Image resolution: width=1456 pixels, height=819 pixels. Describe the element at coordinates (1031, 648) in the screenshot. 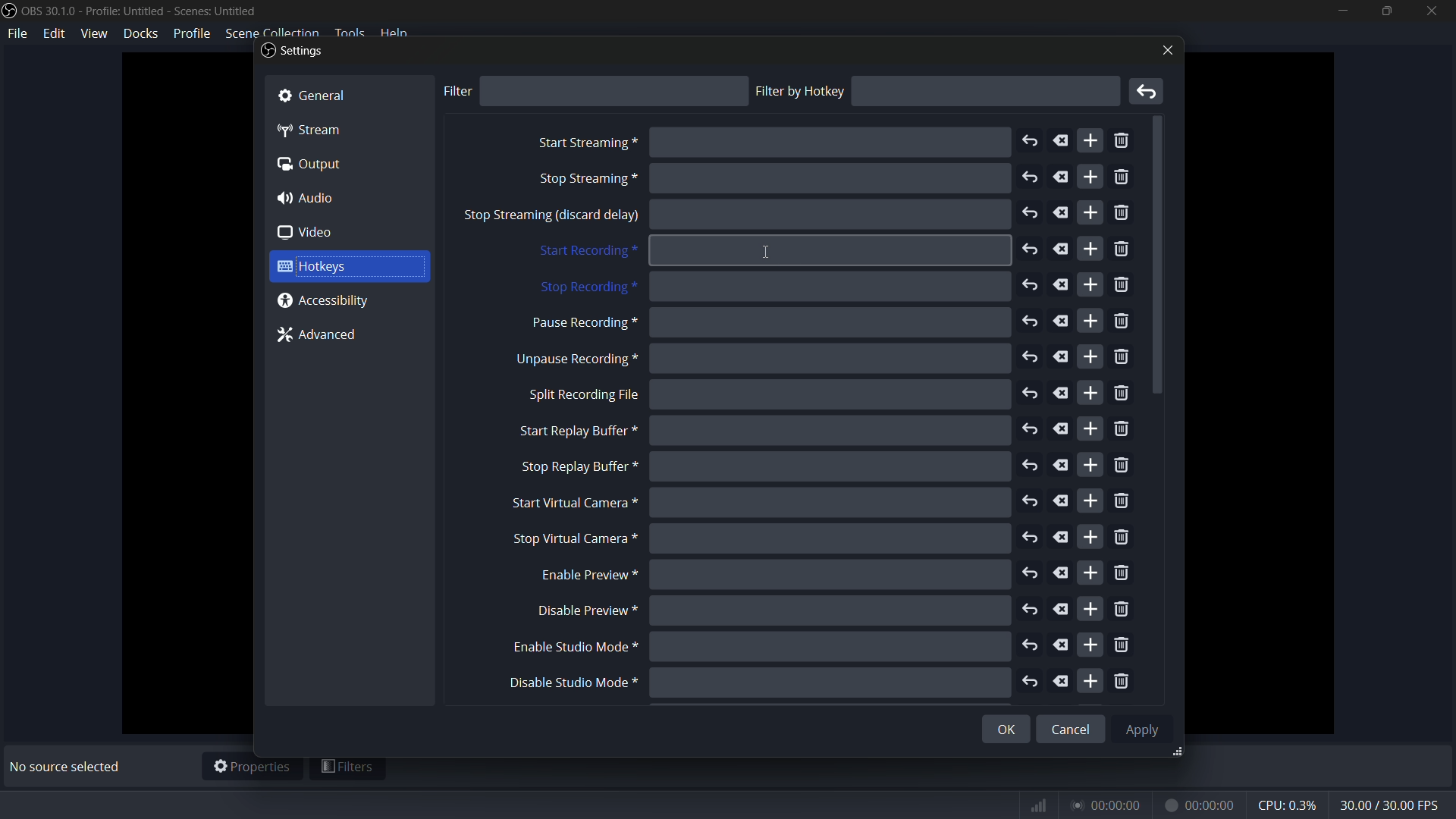

I see `undo` at that location.